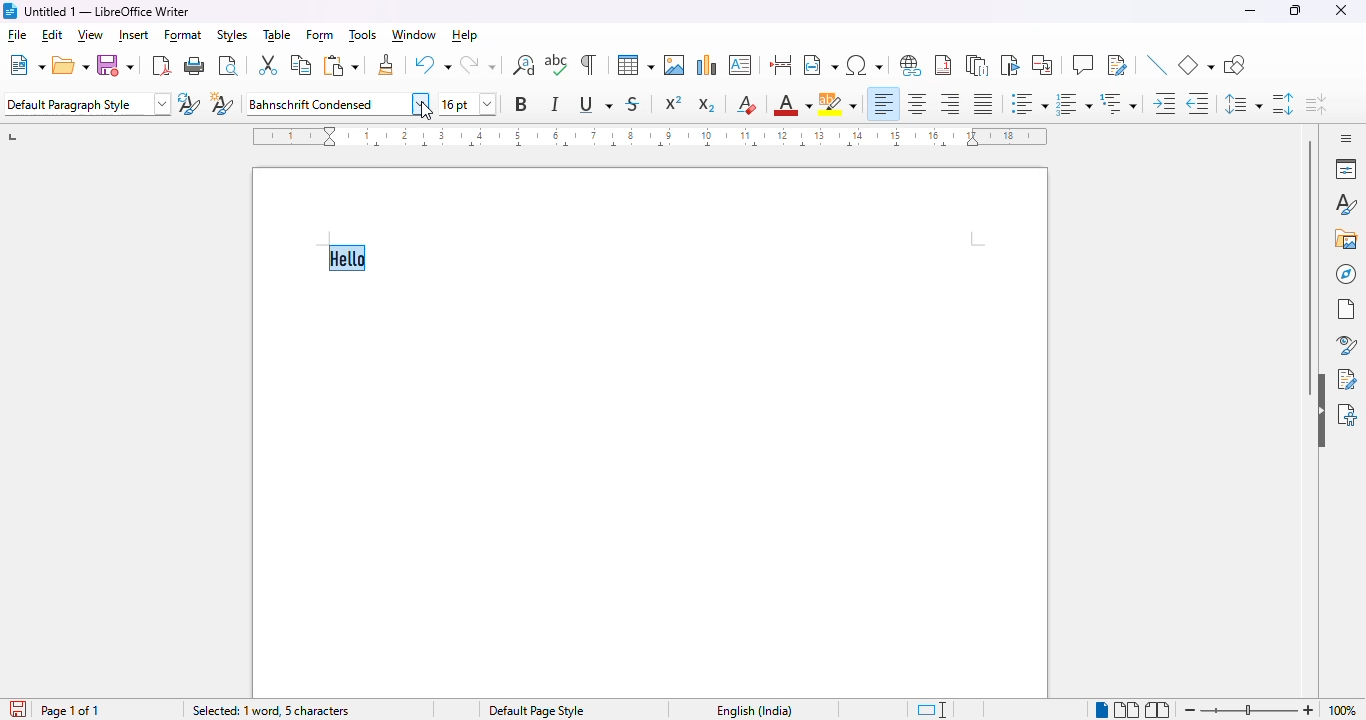 Image resolution: width=1366 pixels, height=720 pixels. I want to click on insert table, so click(636, 64).